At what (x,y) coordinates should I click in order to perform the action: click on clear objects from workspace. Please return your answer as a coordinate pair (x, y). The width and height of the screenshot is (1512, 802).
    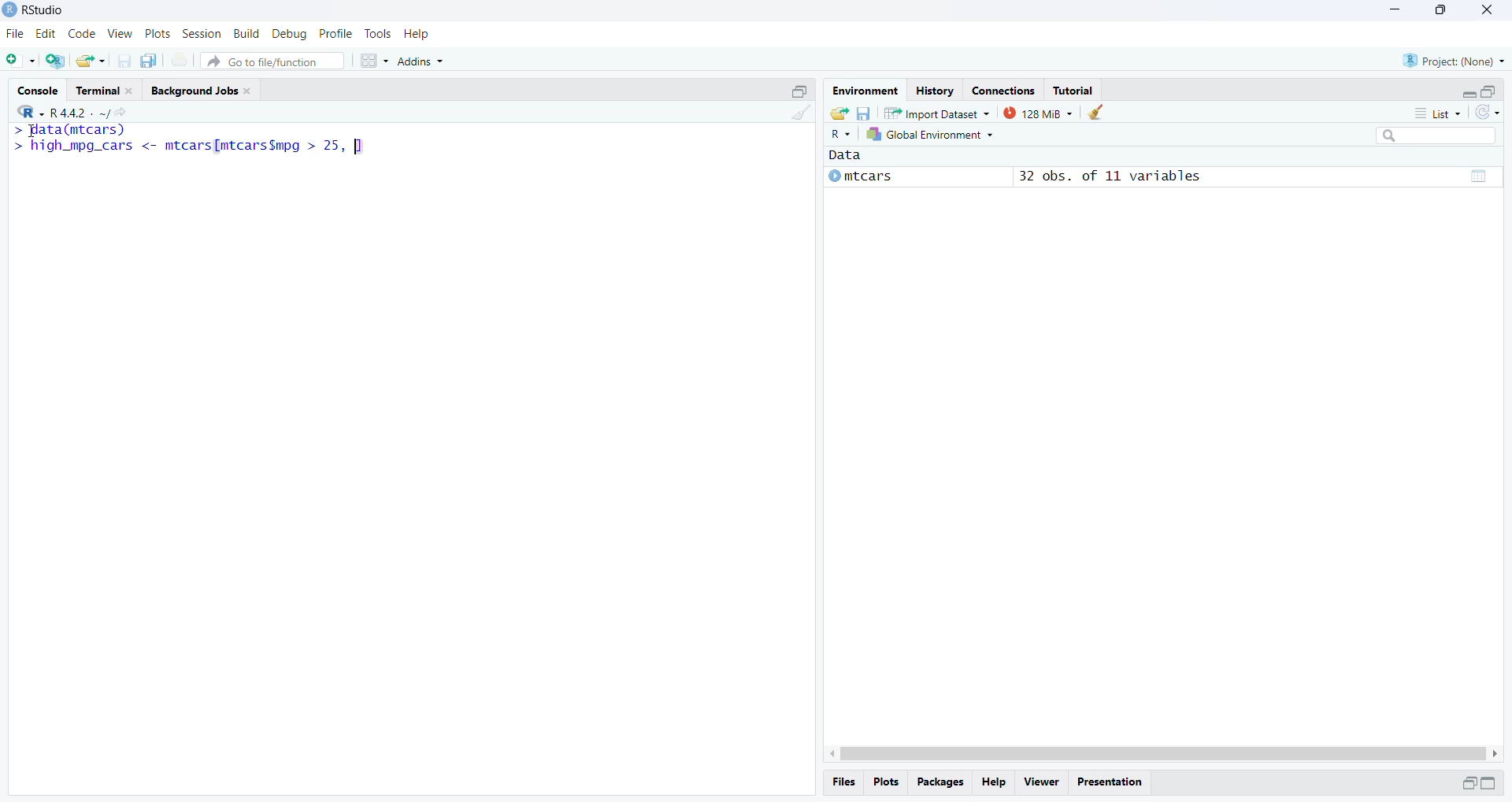
    Looking at the image, I should click on (1095, 112).